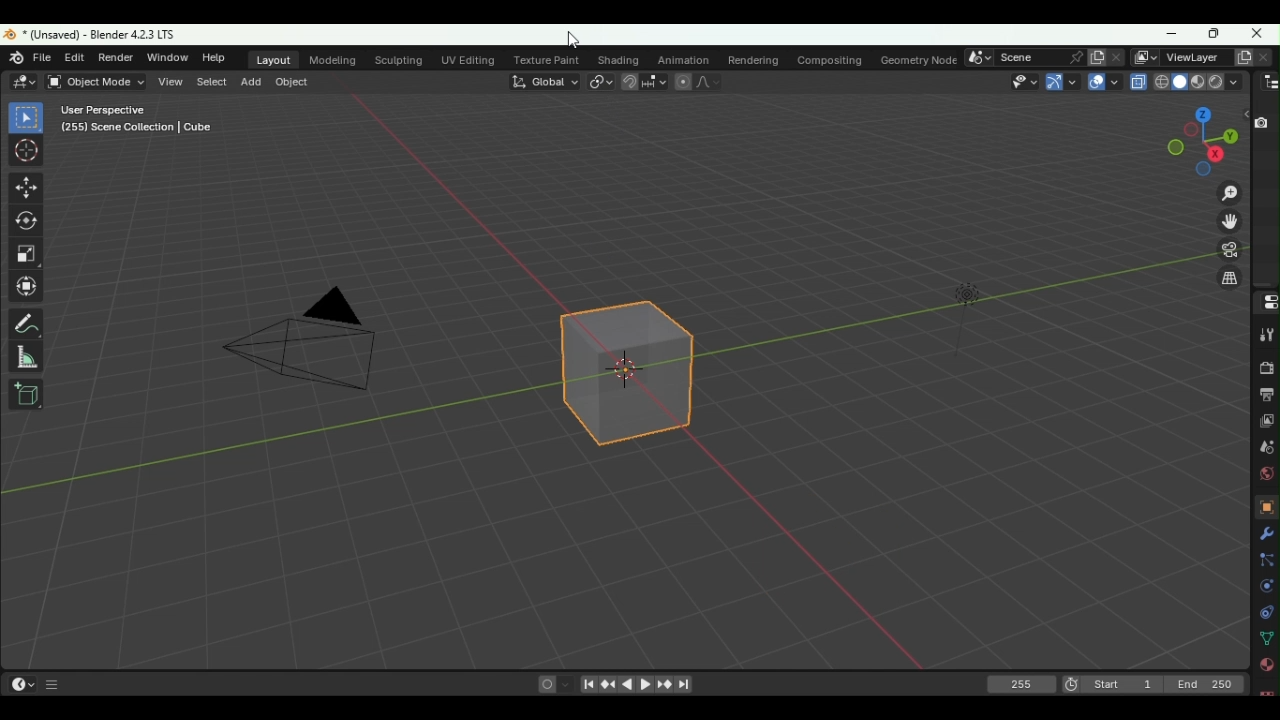 Image resolution: width=1280 pixels, height=720 pixels. I want to click on Show gizmo, so click(1061, 82).